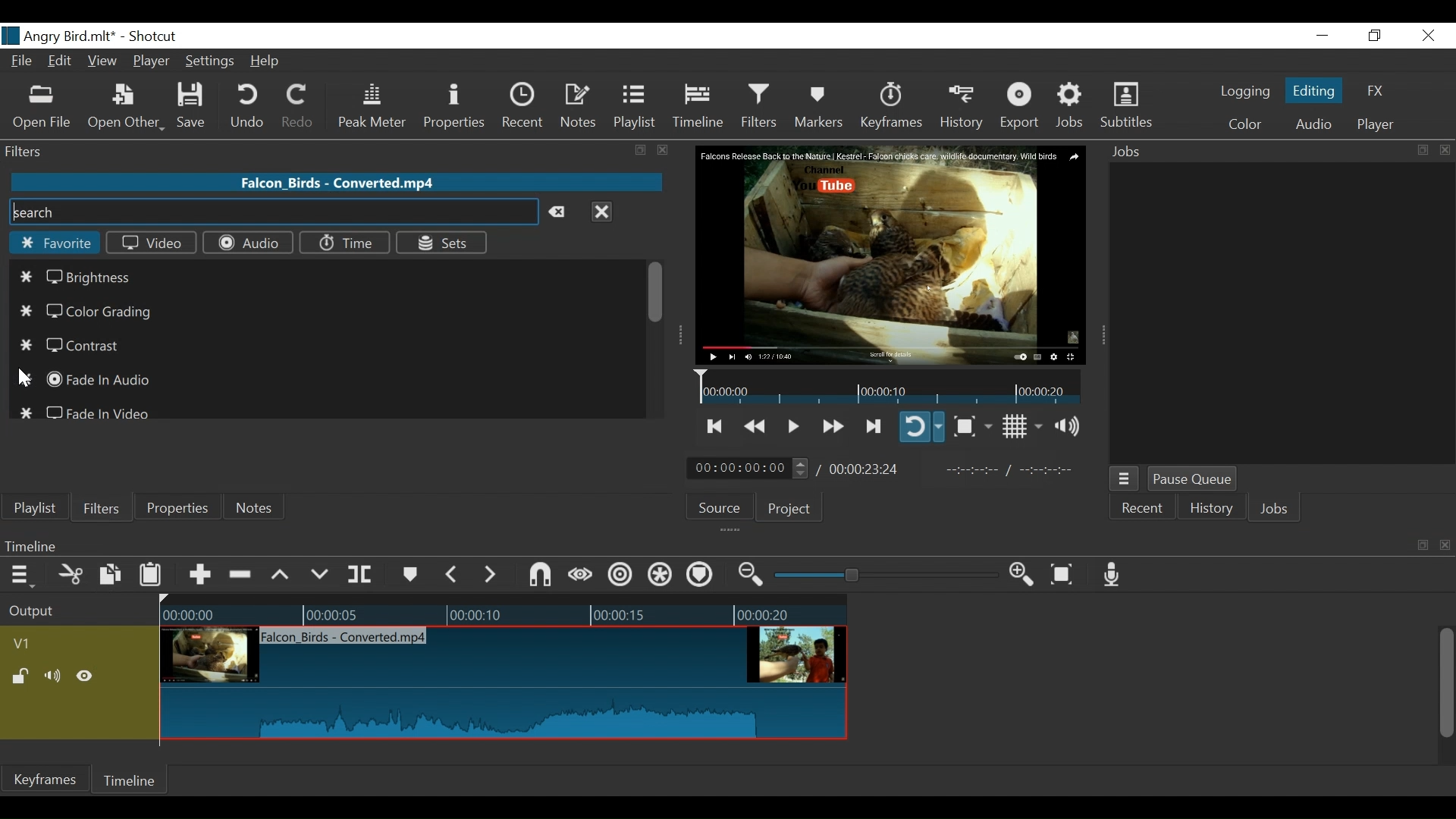 The image size is (1456, 819). Describe the element at coordinates (1421, 150) in the screenshot. I see `copy` at that location.